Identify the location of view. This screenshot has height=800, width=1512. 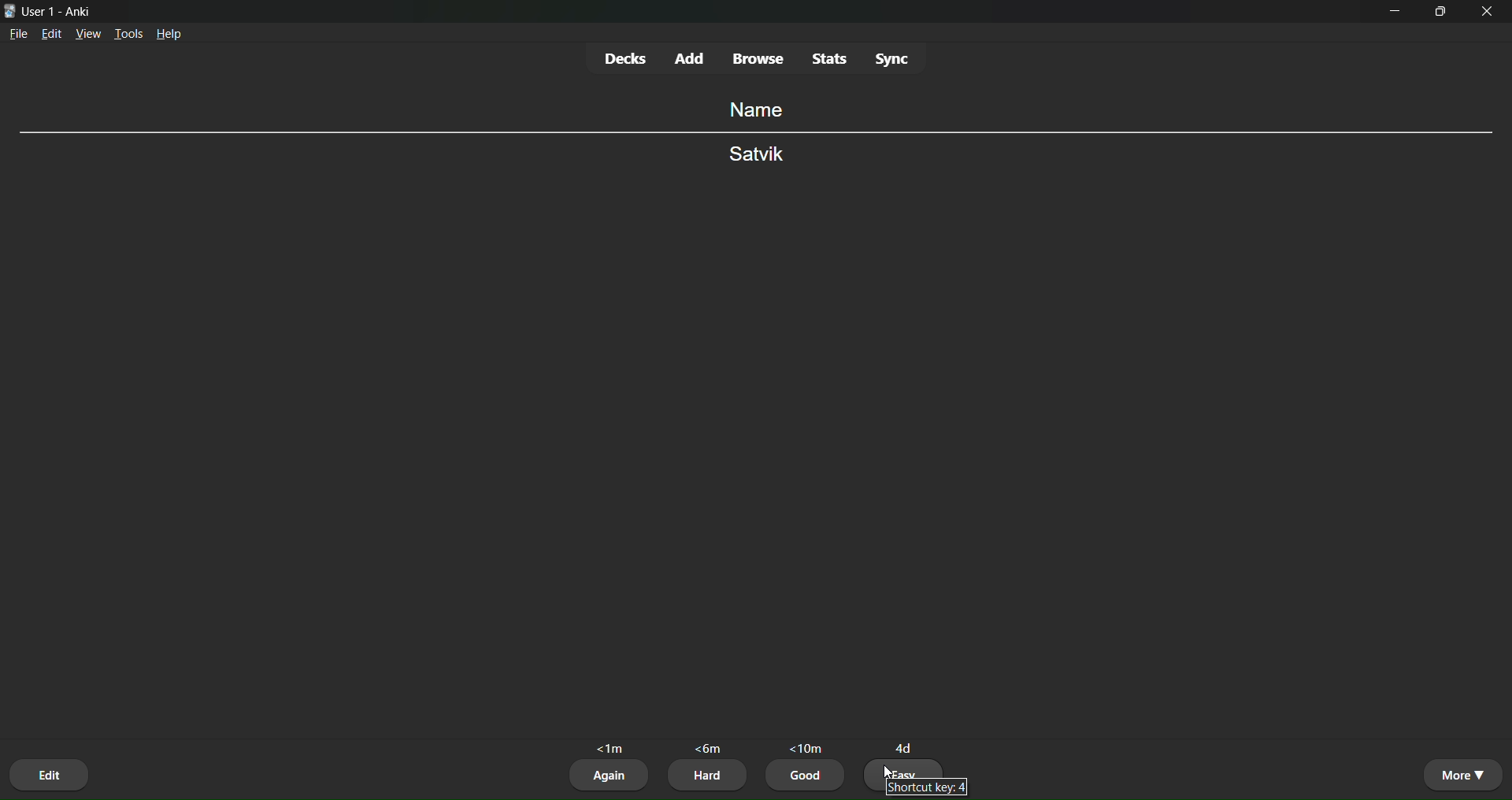
(88, 35).